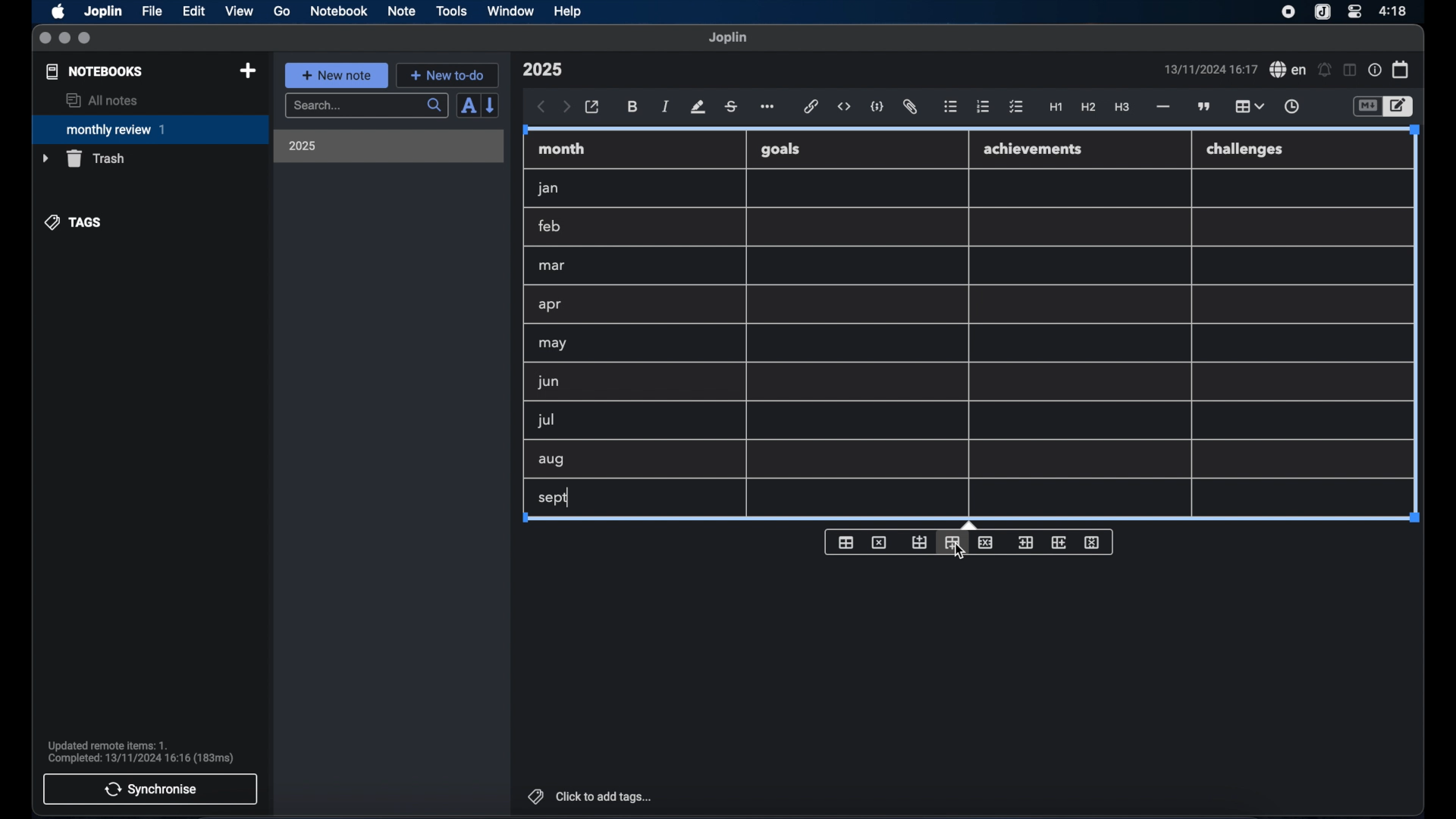 The width and height of the screenshot is (1456, 819). Describe the element at coordinates (1122, 108) in the screenshot. I see `heading 3` at that location.